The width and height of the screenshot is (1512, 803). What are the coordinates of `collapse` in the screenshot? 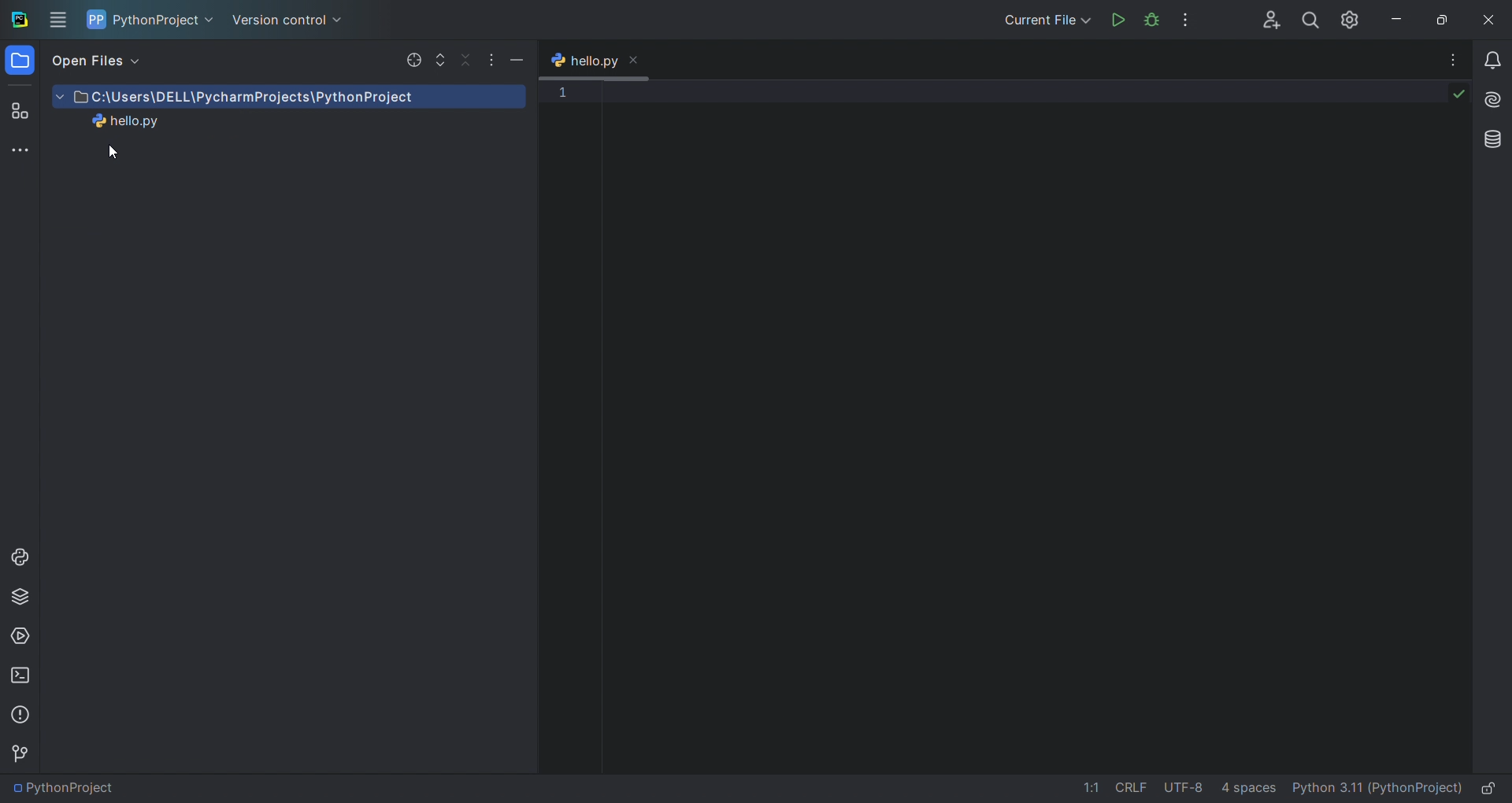 It's located at (464, 59).